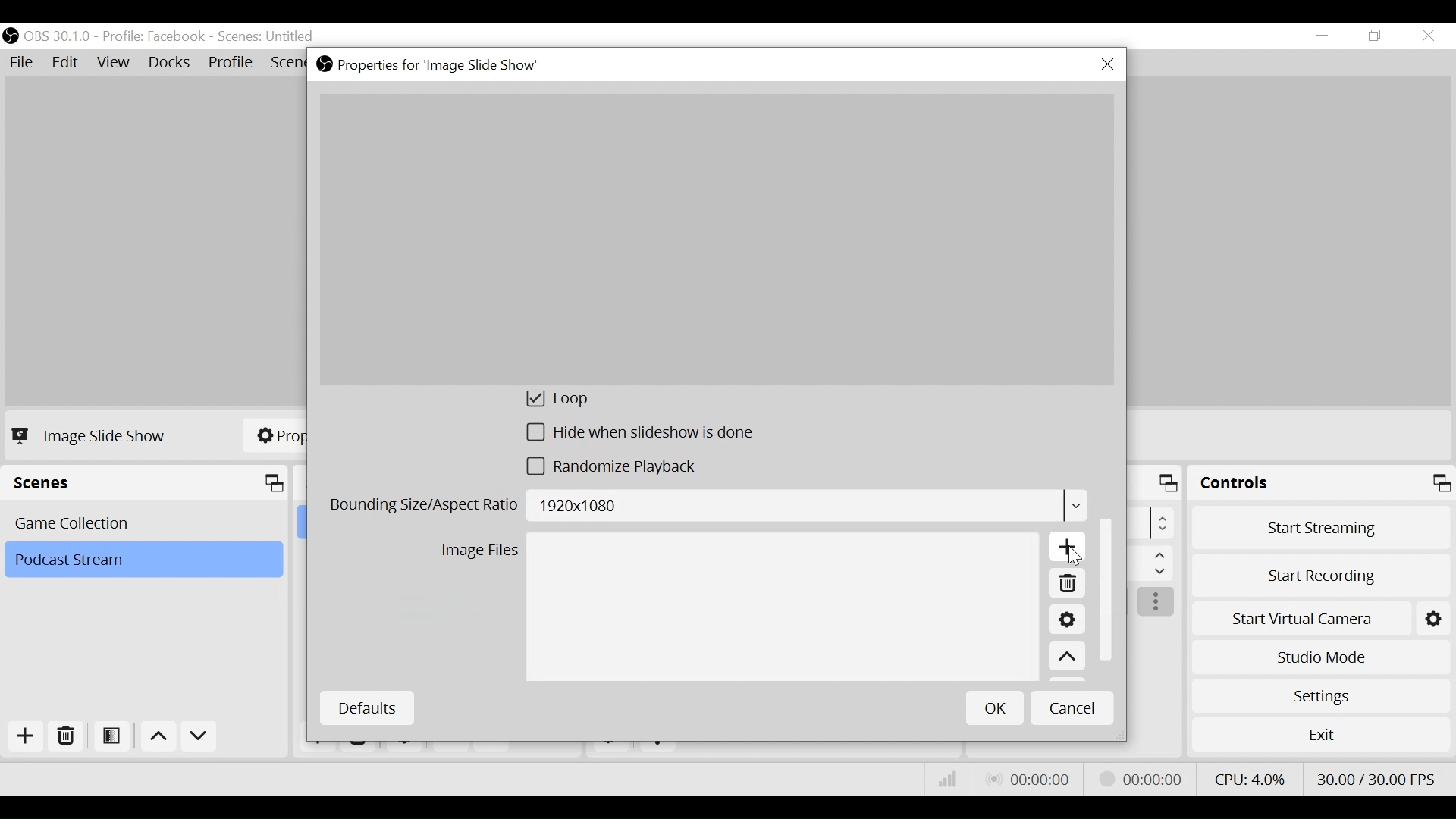 This screenshot has height=819, width=1456. What do you see at coordinates (995, 708) in the screenshot?
I see `OK` at bounding box center [995, 708].